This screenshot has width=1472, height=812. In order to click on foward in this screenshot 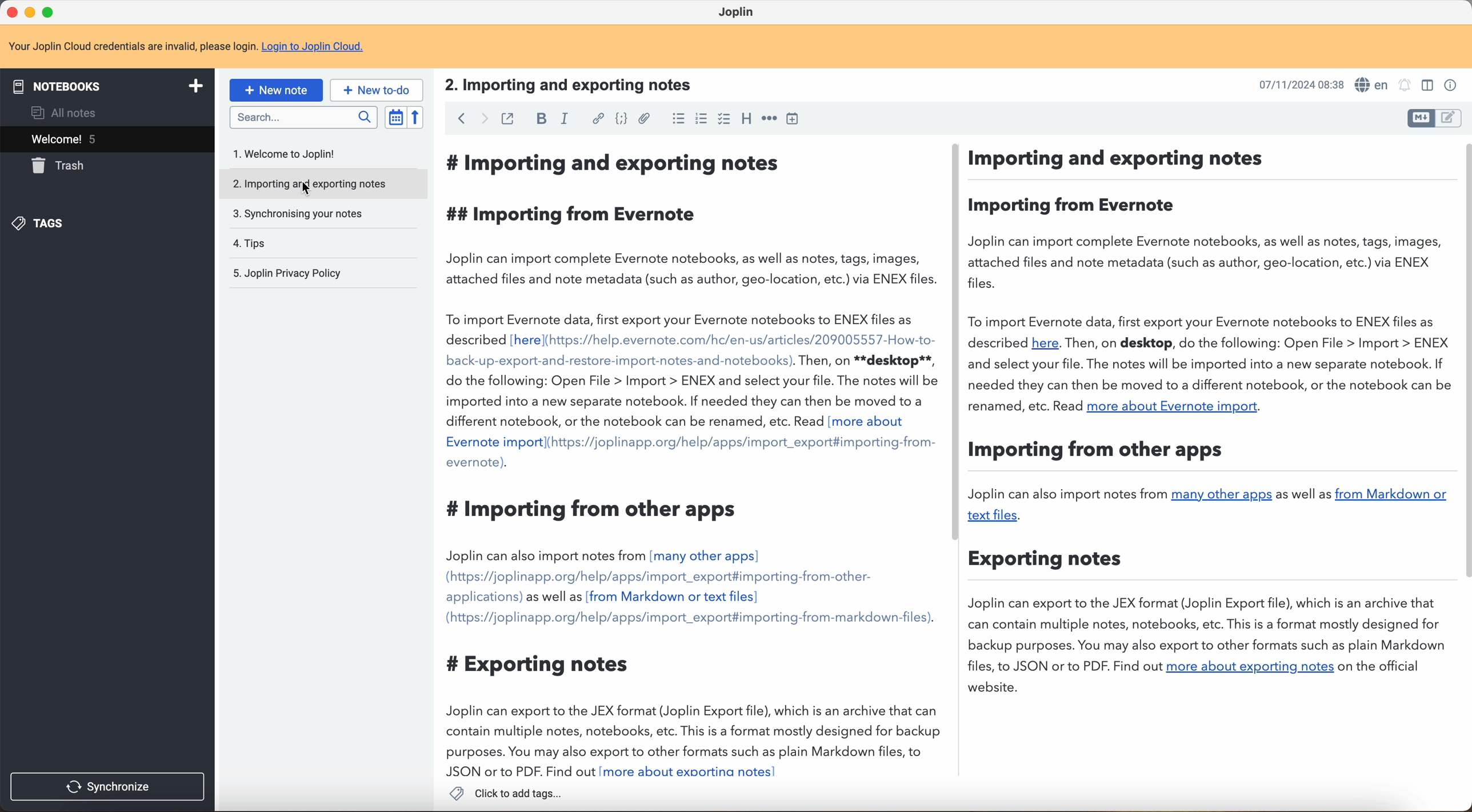, I will do `click(481, 119)`.